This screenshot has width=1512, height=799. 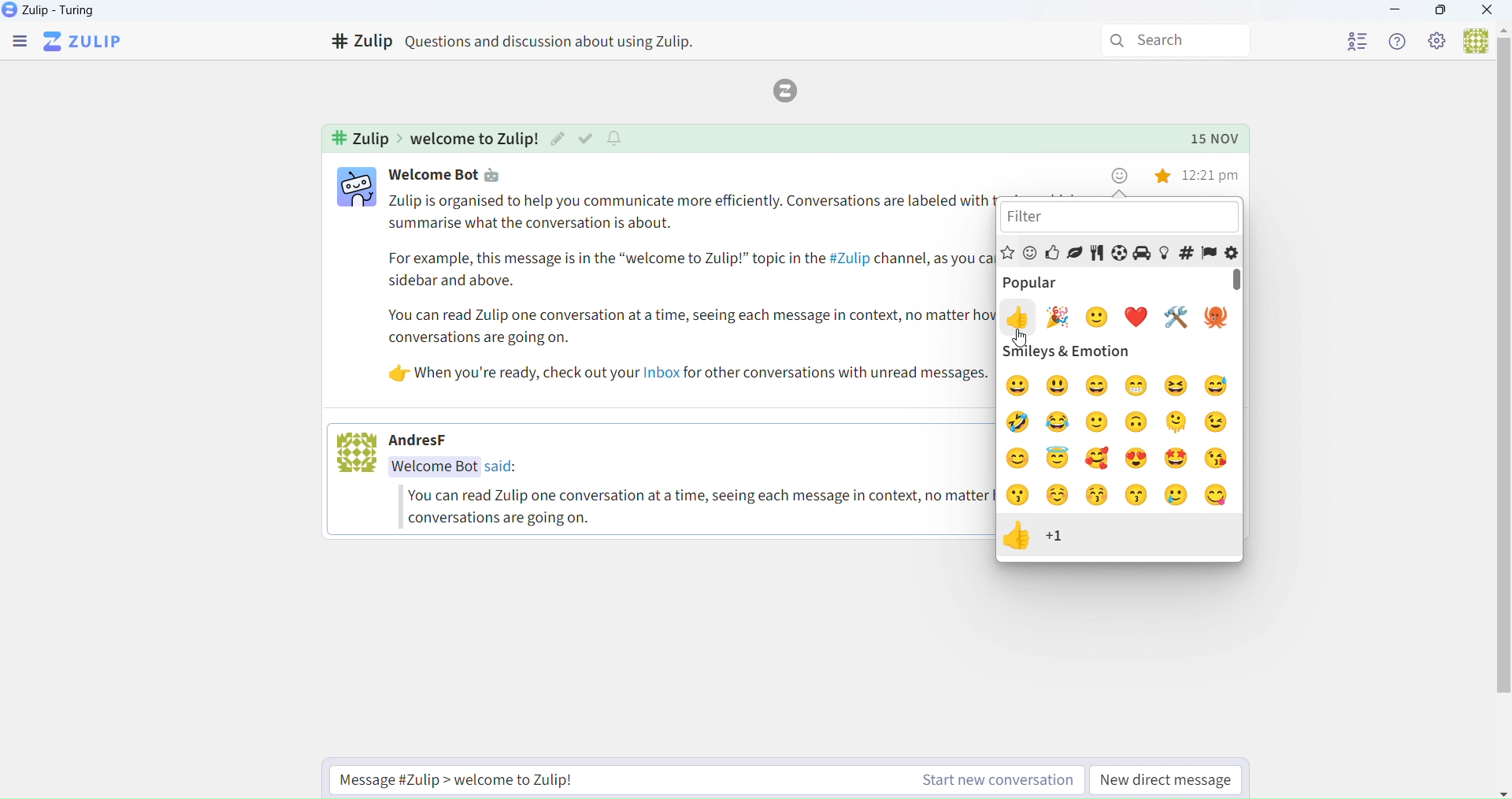 I want to click on Zulip, so click(x=53, y=9).